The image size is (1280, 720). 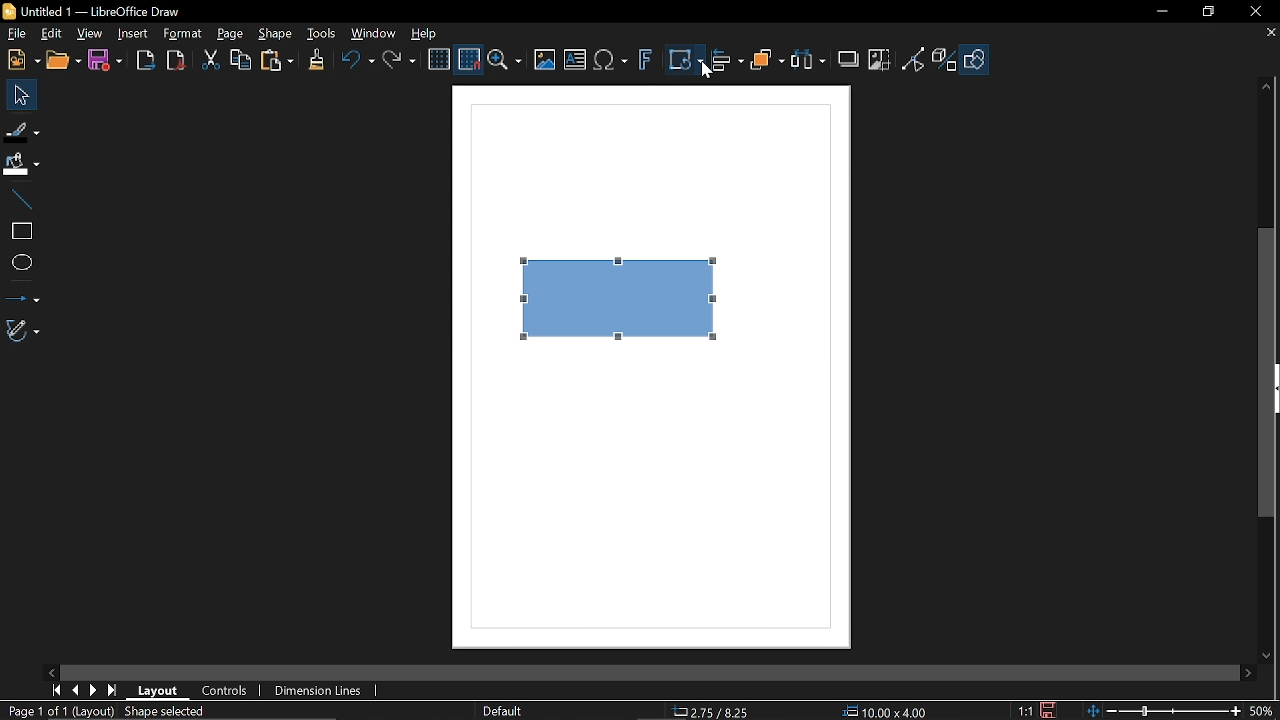 What do you see at coordinates (914, 61) in the screenshot?
I see `Toggle ` at bounding box center [914, 61].